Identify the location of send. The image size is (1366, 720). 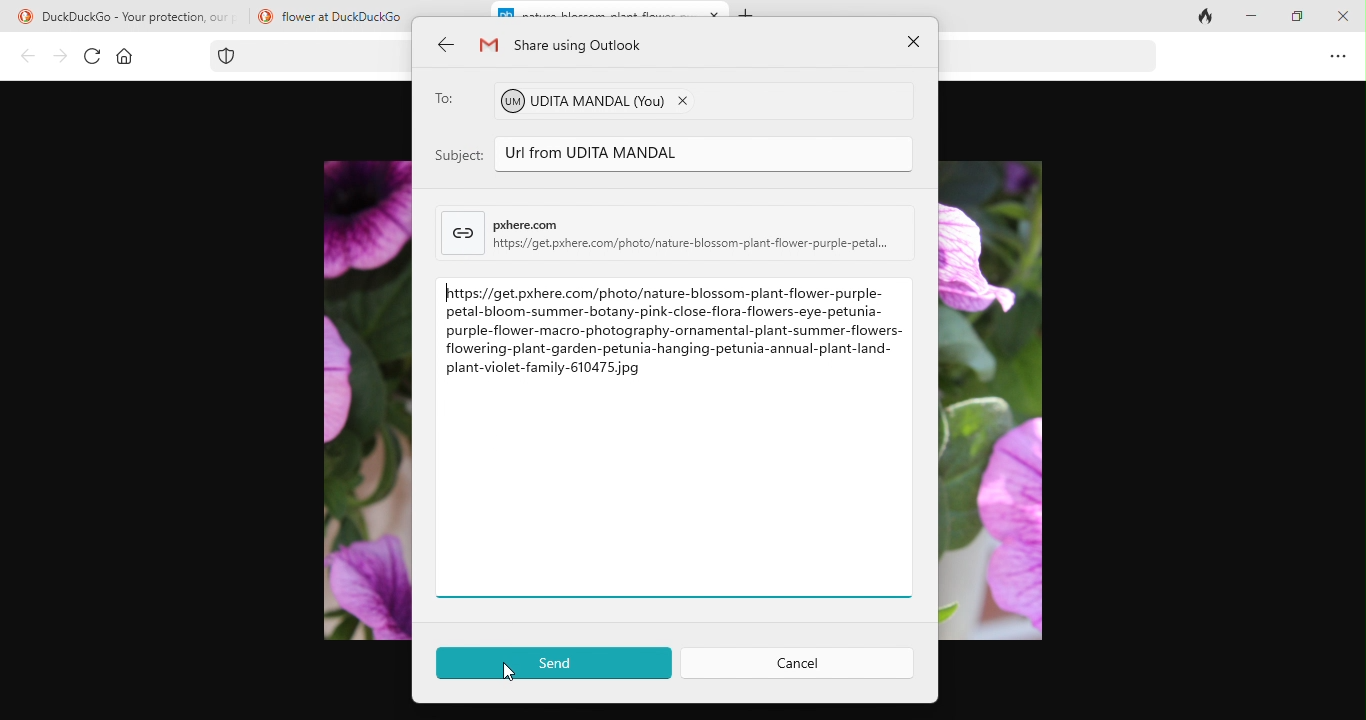
(549, 661).